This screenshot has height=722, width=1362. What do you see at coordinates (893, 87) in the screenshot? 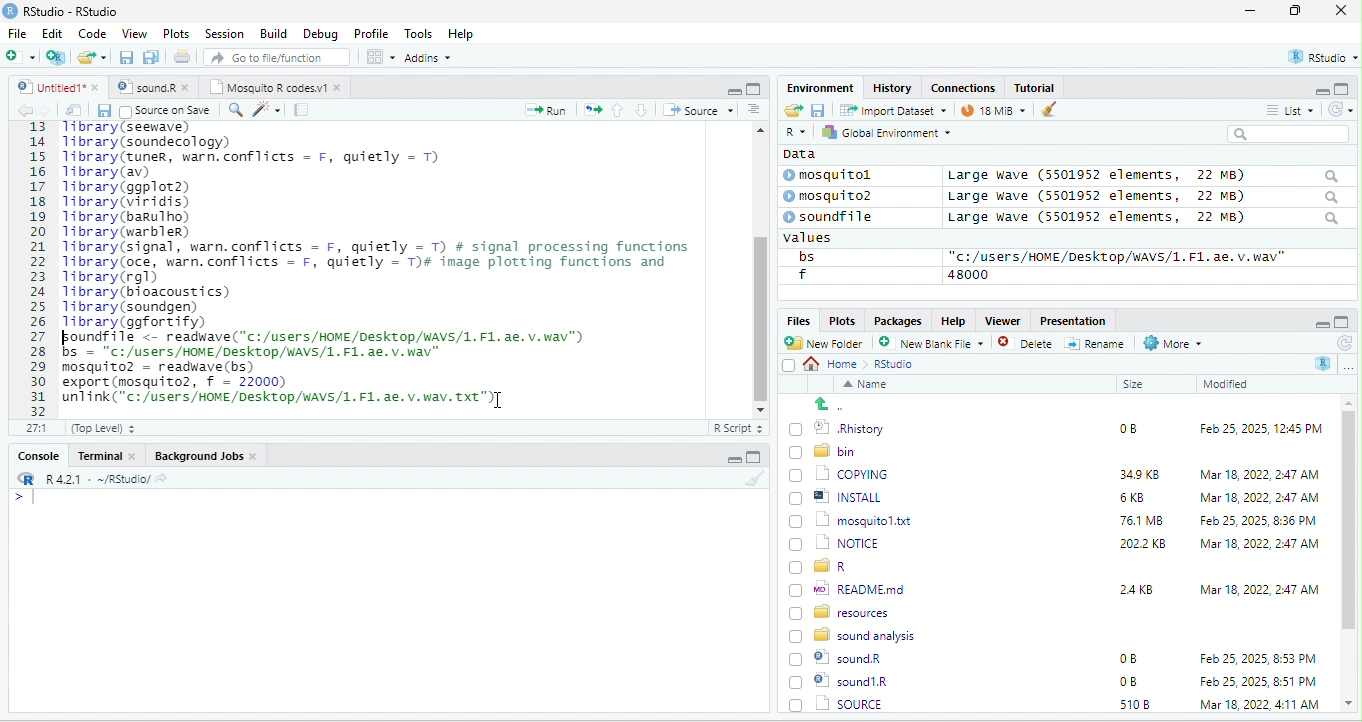
I see `History` at bounding box center [893, 87].